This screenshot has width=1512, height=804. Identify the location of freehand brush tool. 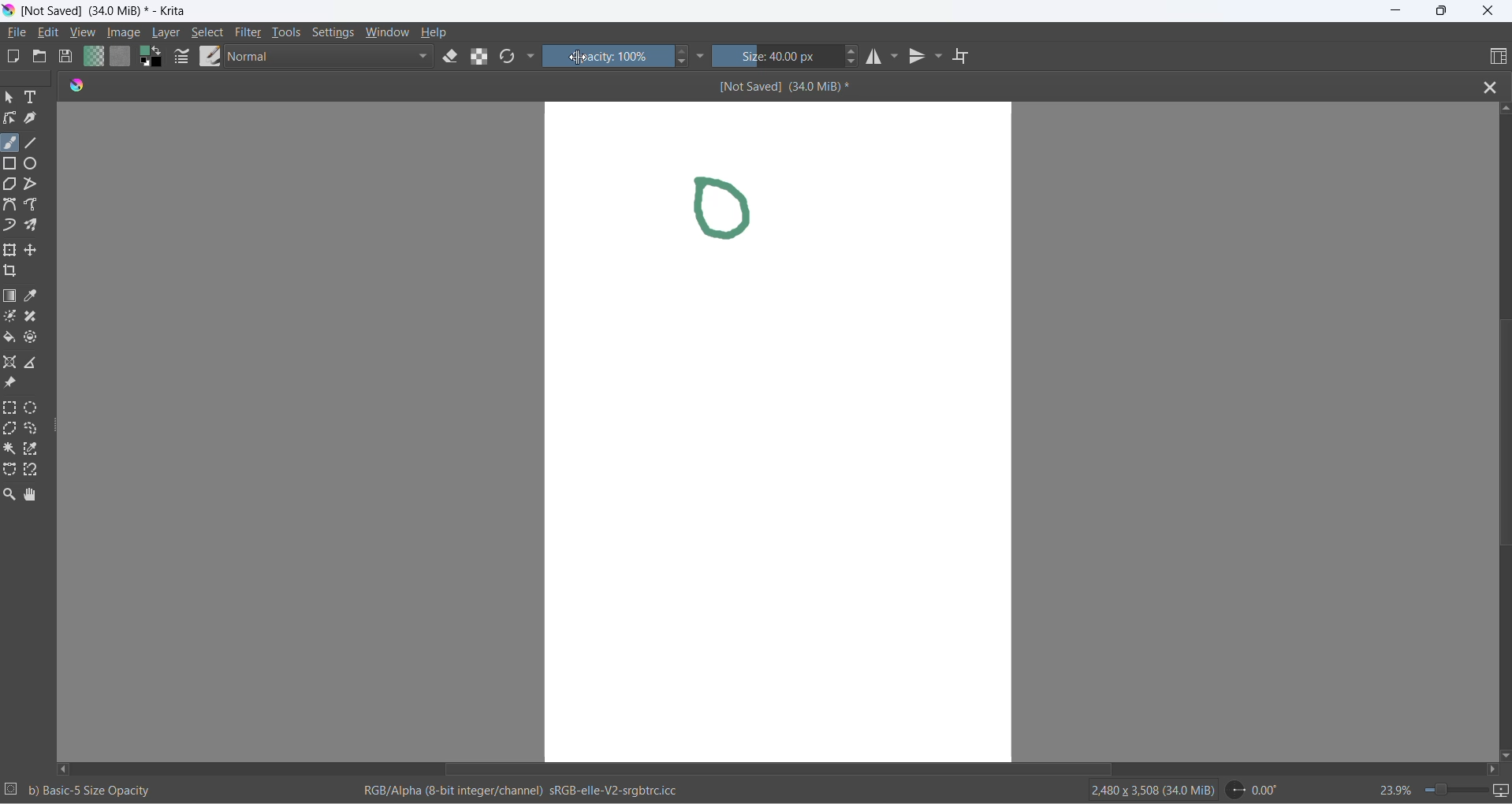
(12, 141).